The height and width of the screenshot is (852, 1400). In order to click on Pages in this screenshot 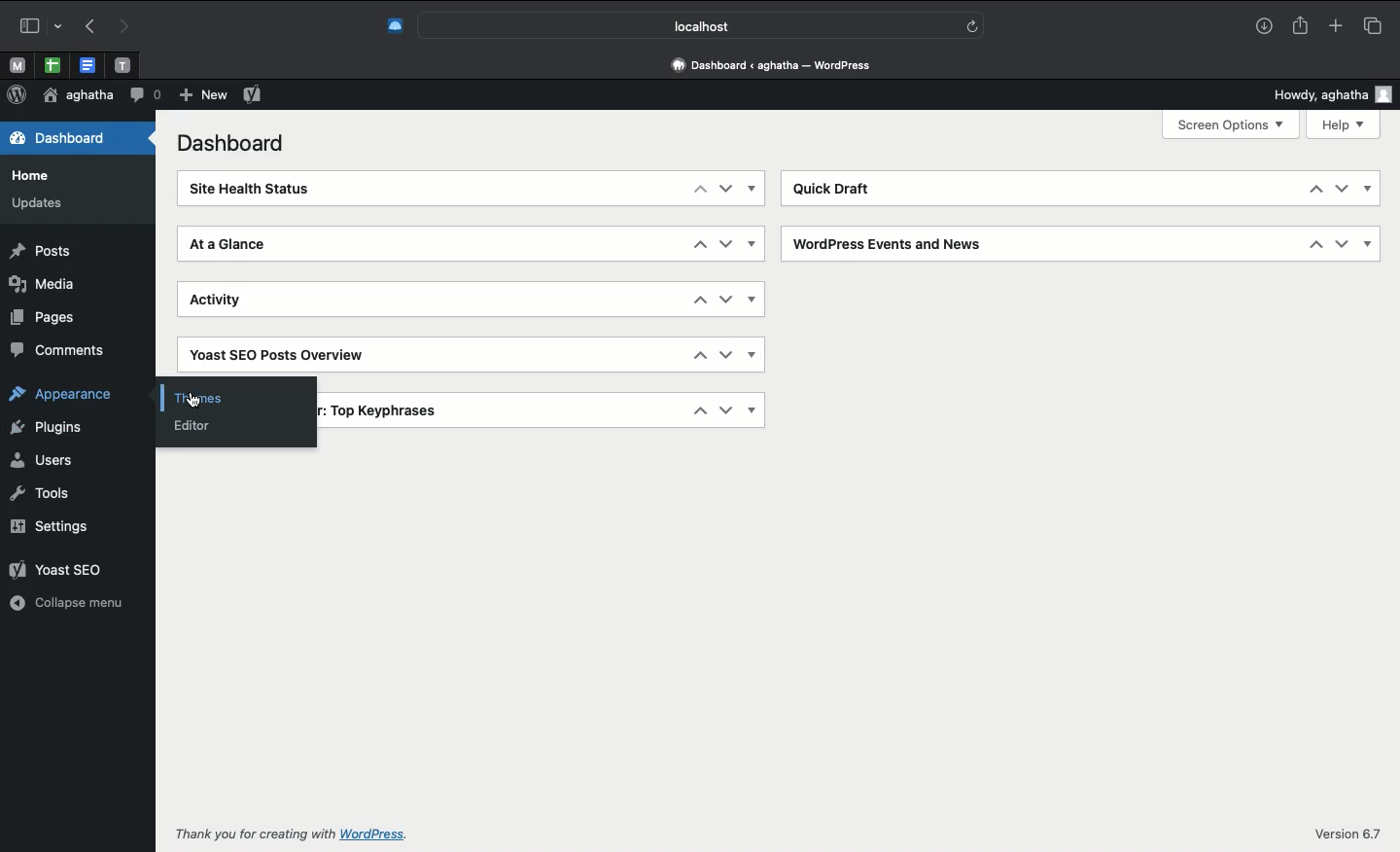, I will do `click(45, 317)`.